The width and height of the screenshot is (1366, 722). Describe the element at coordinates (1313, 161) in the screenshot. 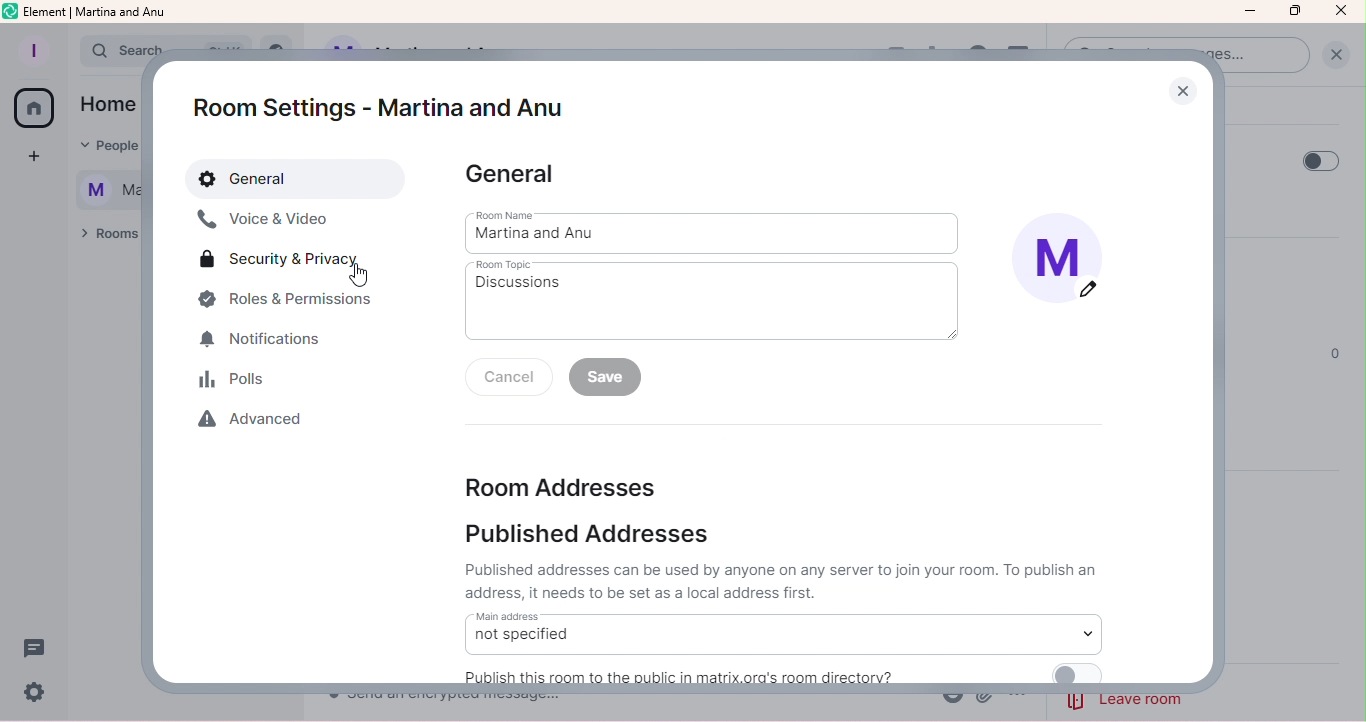

I see `Toggle` at that location.